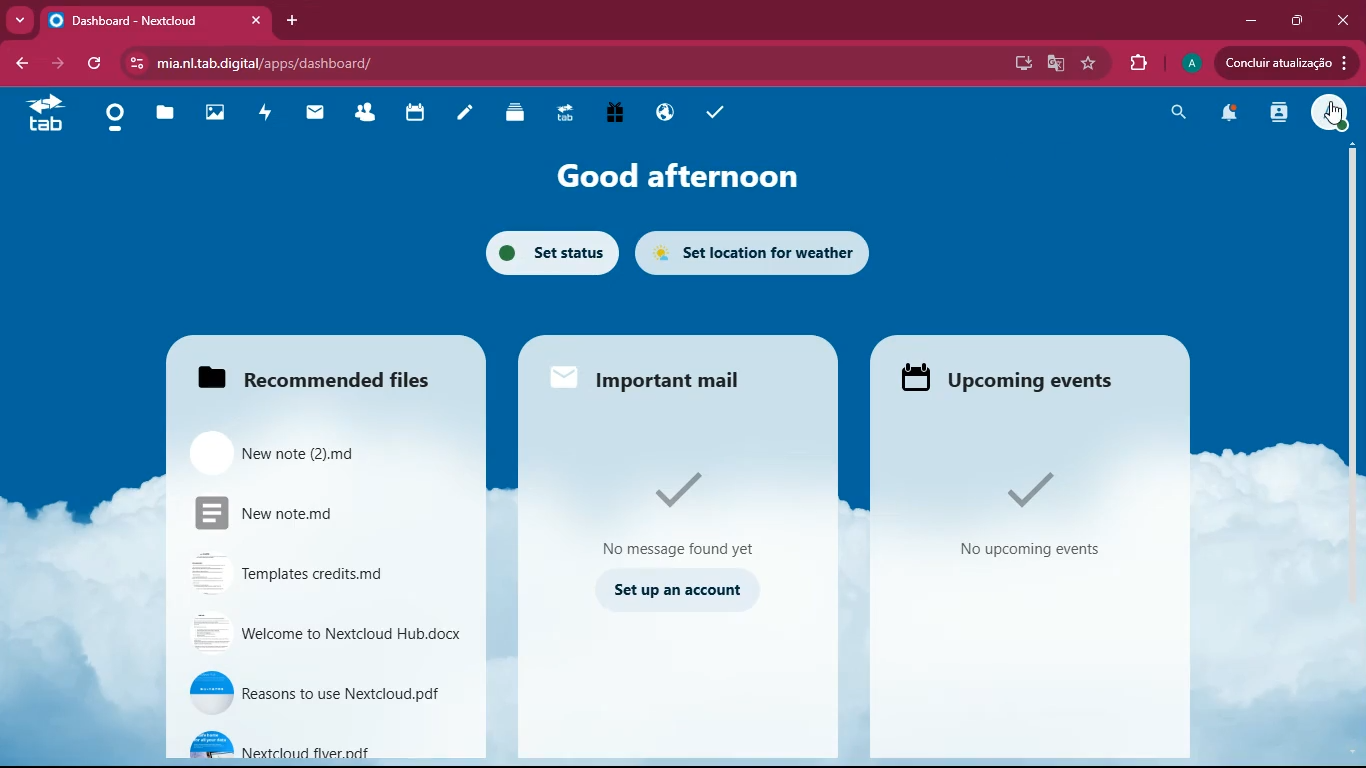 This screenshot has width=1366, height=768. Describe the element at coordinates (1188, 63) in the screenshot. I see `profile` at that location.